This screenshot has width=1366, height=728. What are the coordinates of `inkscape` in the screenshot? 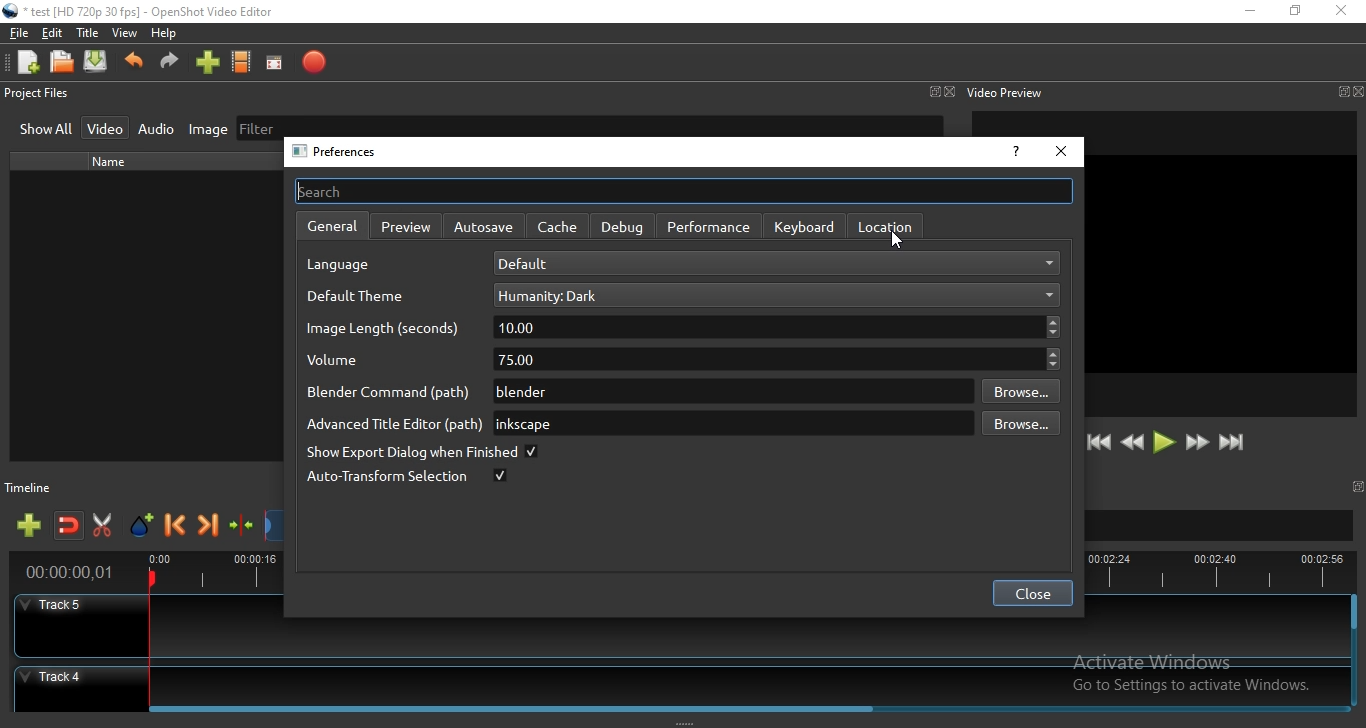 It's located at (728, 423).